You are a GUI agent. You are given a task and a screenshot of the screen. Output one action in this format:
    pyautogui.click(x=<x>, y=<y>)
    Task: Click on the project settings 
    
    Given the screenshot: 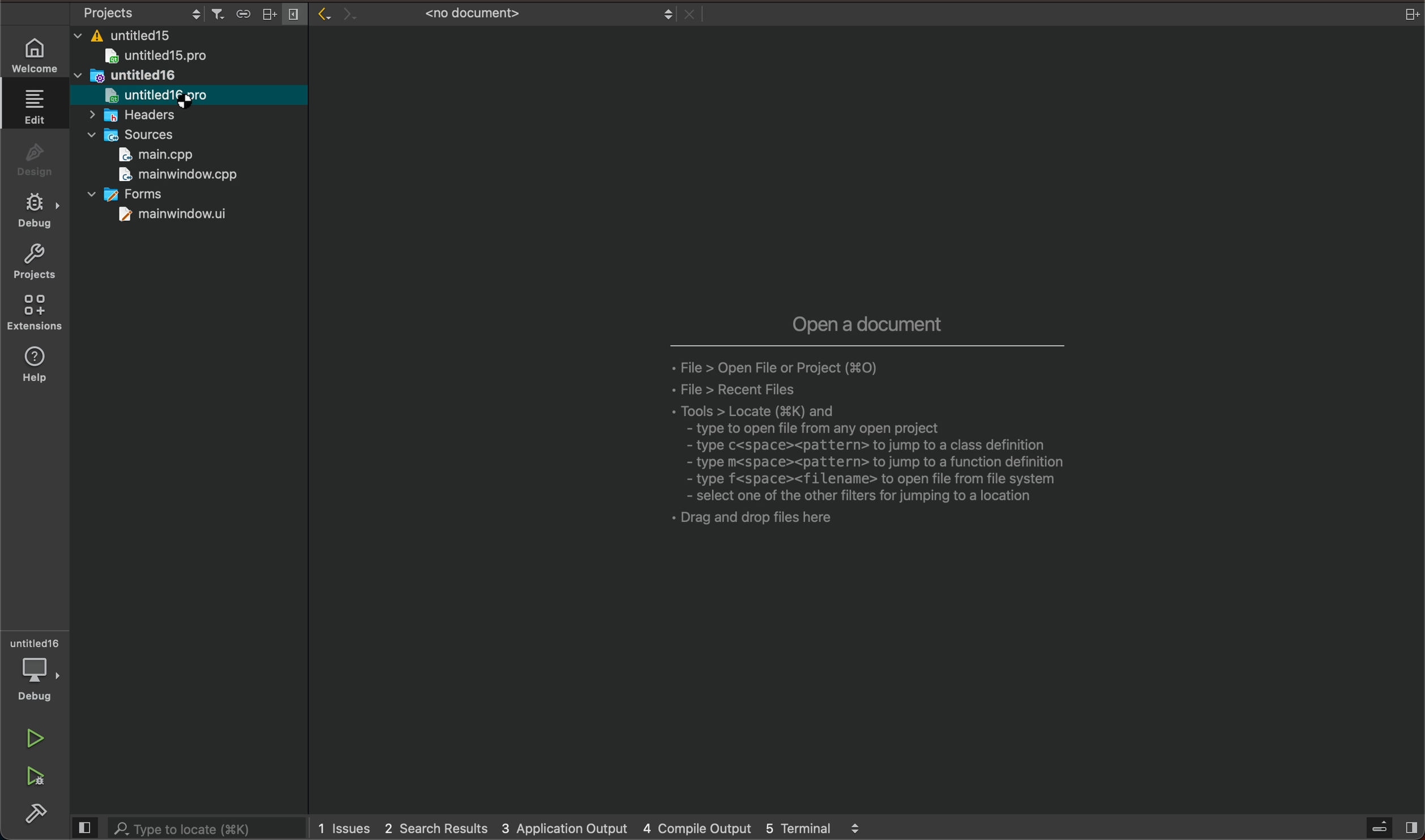 What is the action you would take?
    pyautogui.click(x=186, y=12)
    